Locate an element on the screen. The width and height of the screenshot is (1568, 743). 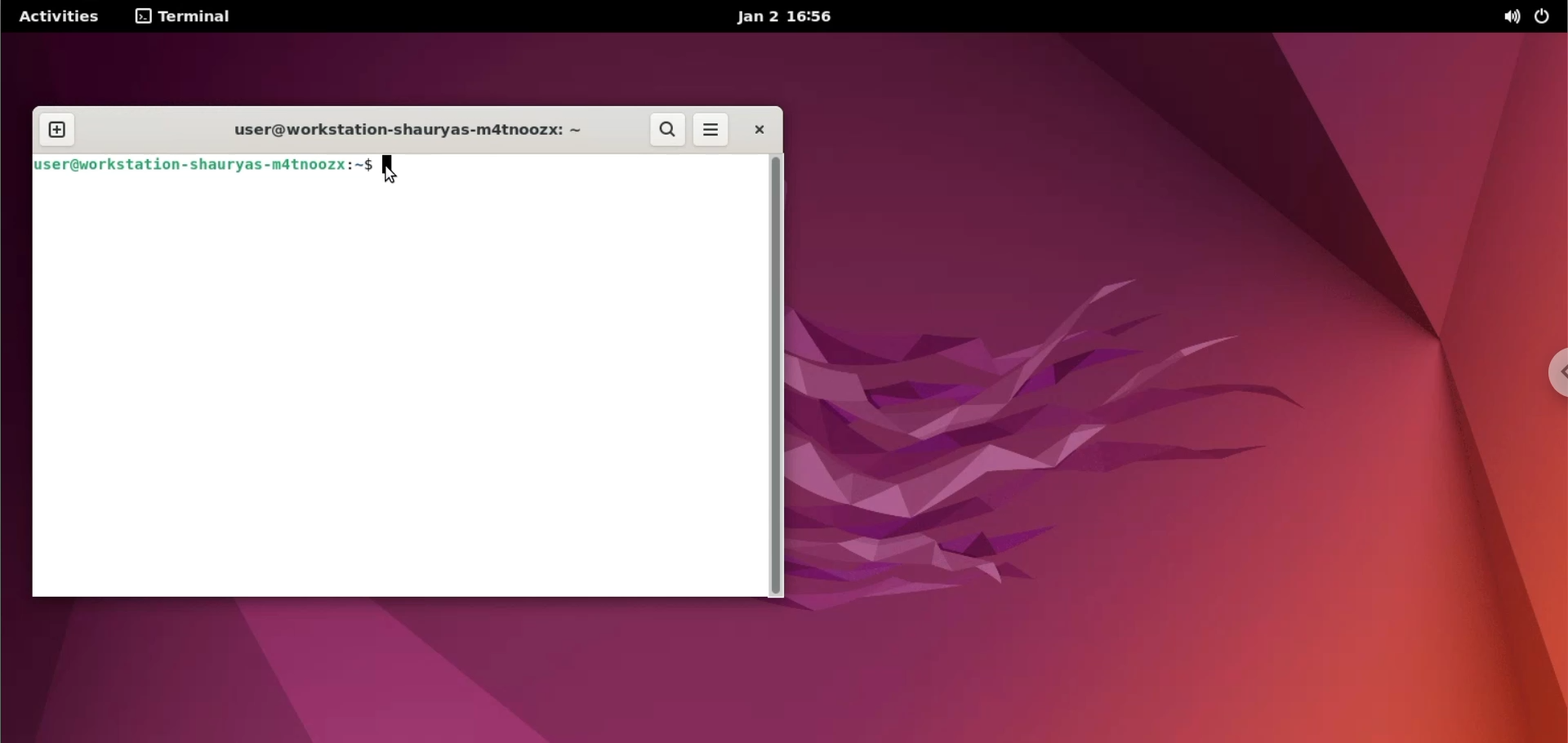
sound options is located at coordinates (1508, 17).